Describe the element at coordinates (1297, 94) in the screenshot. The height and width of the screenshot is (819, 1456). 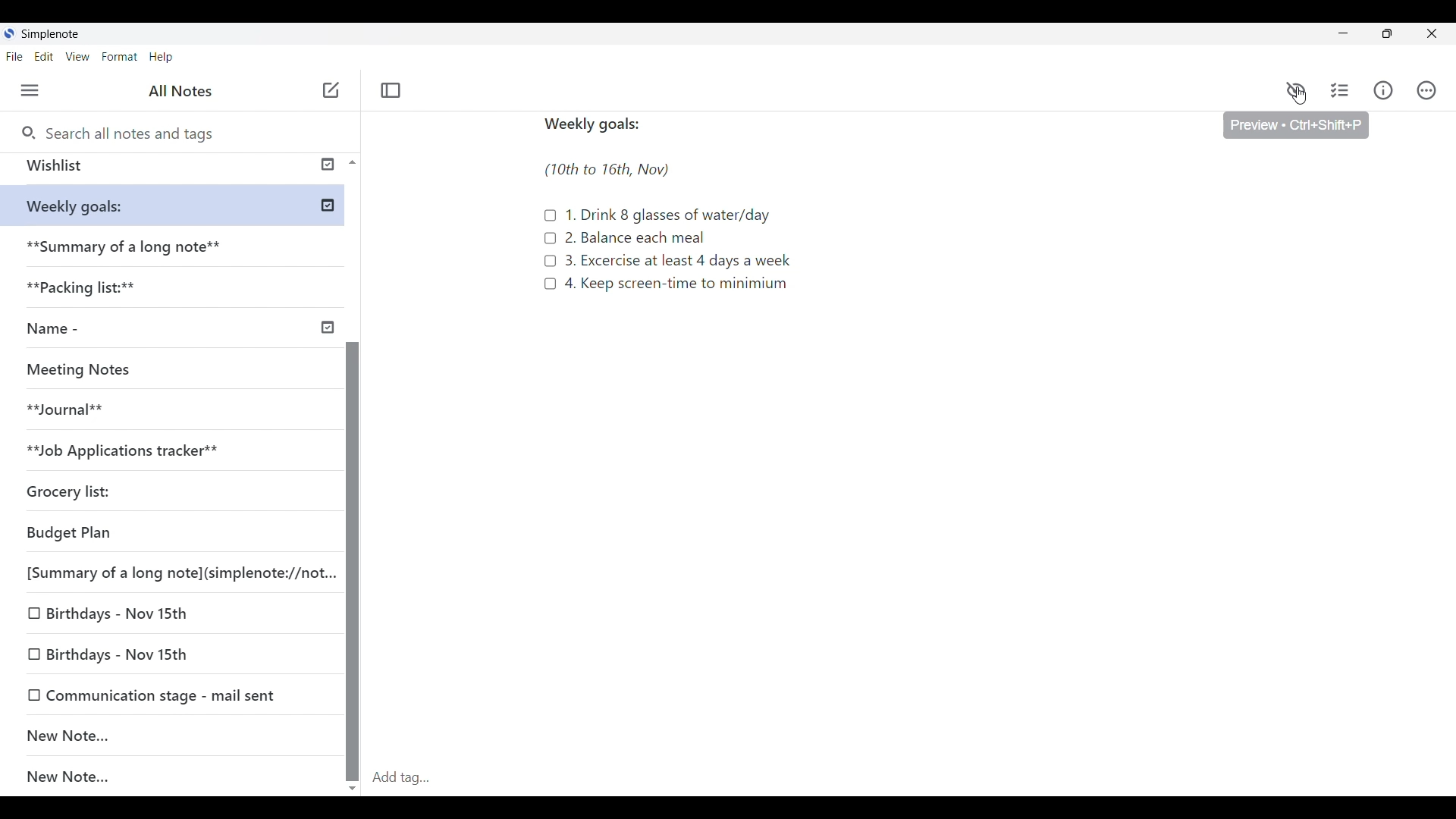
I see `Preview` at that location.